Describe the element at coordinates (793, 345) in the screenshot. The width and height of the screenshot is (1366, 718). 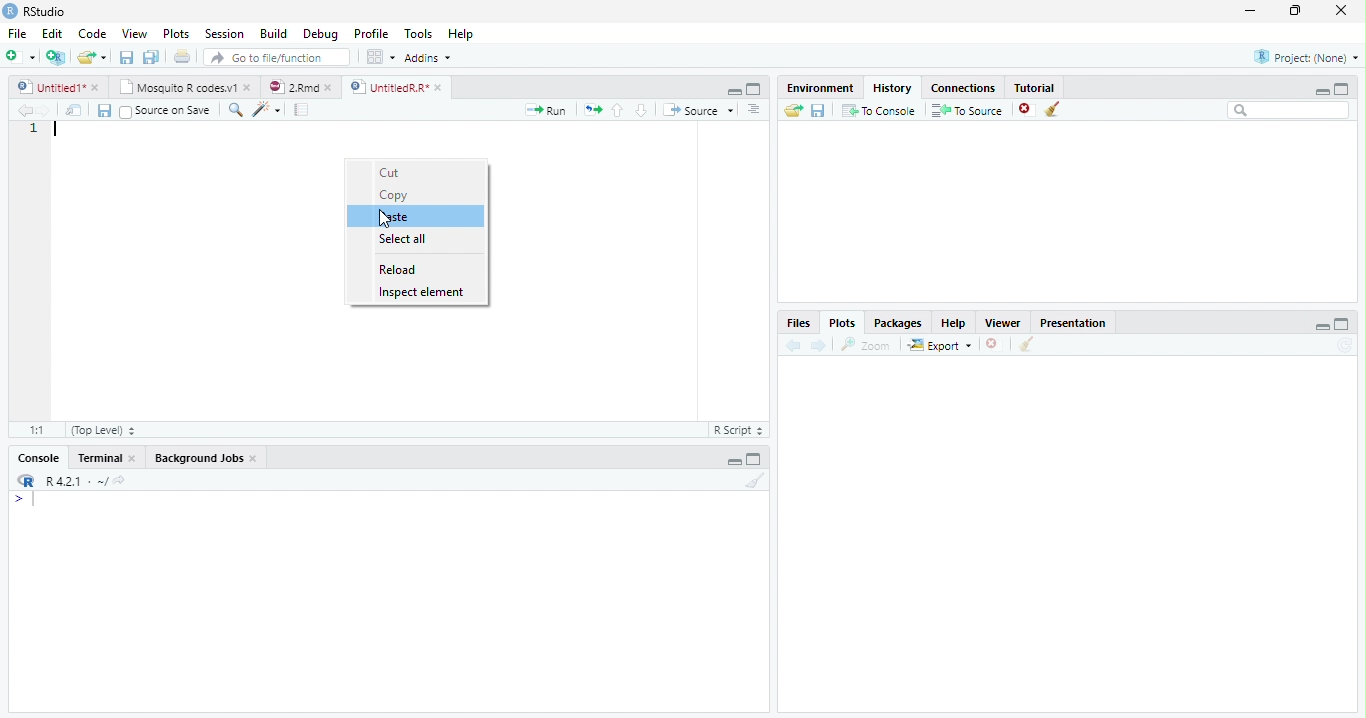
I see `Previous` at that location.